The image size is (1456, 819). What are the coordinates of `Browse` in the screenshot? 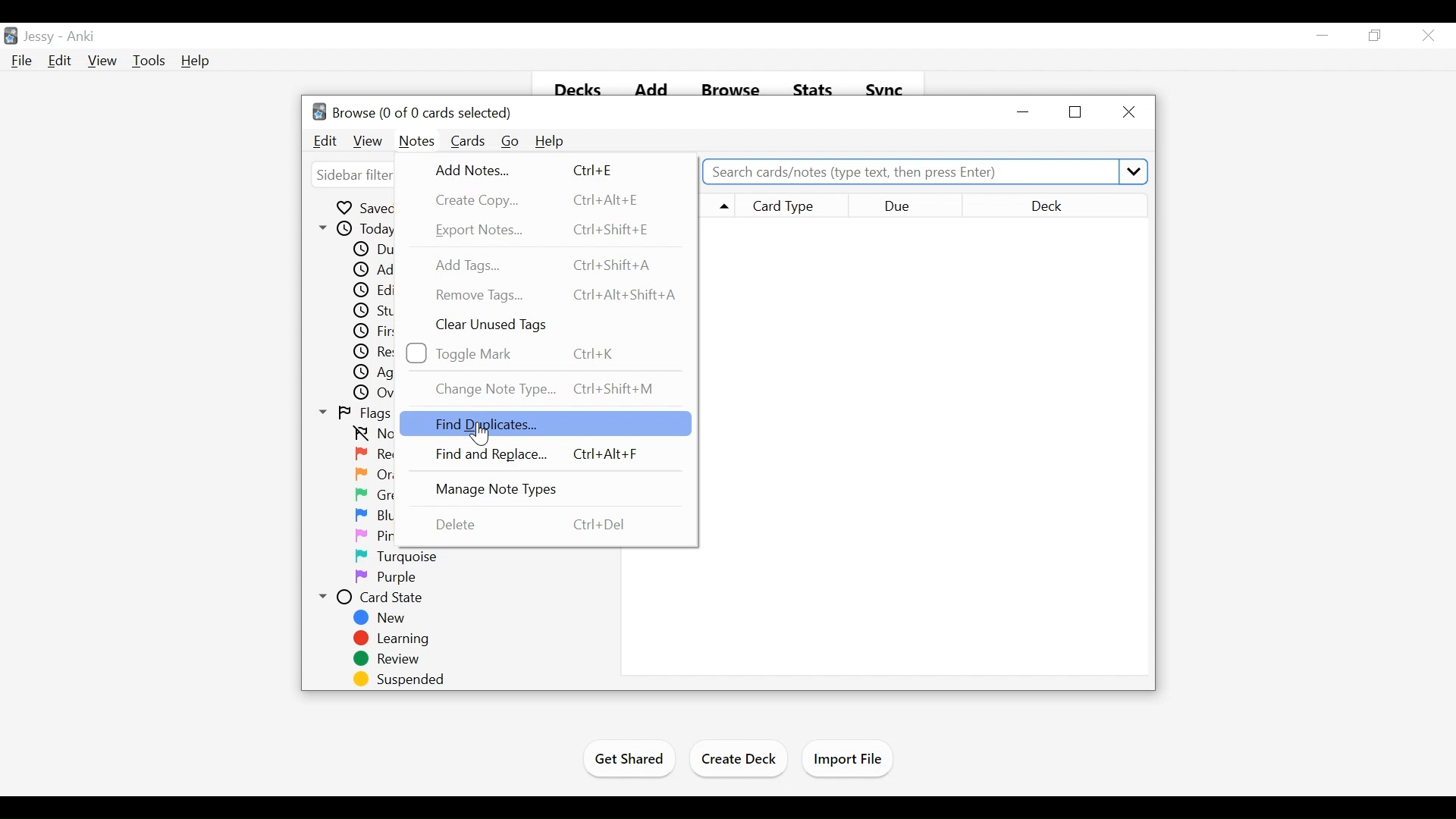 It's located at (730, 86).